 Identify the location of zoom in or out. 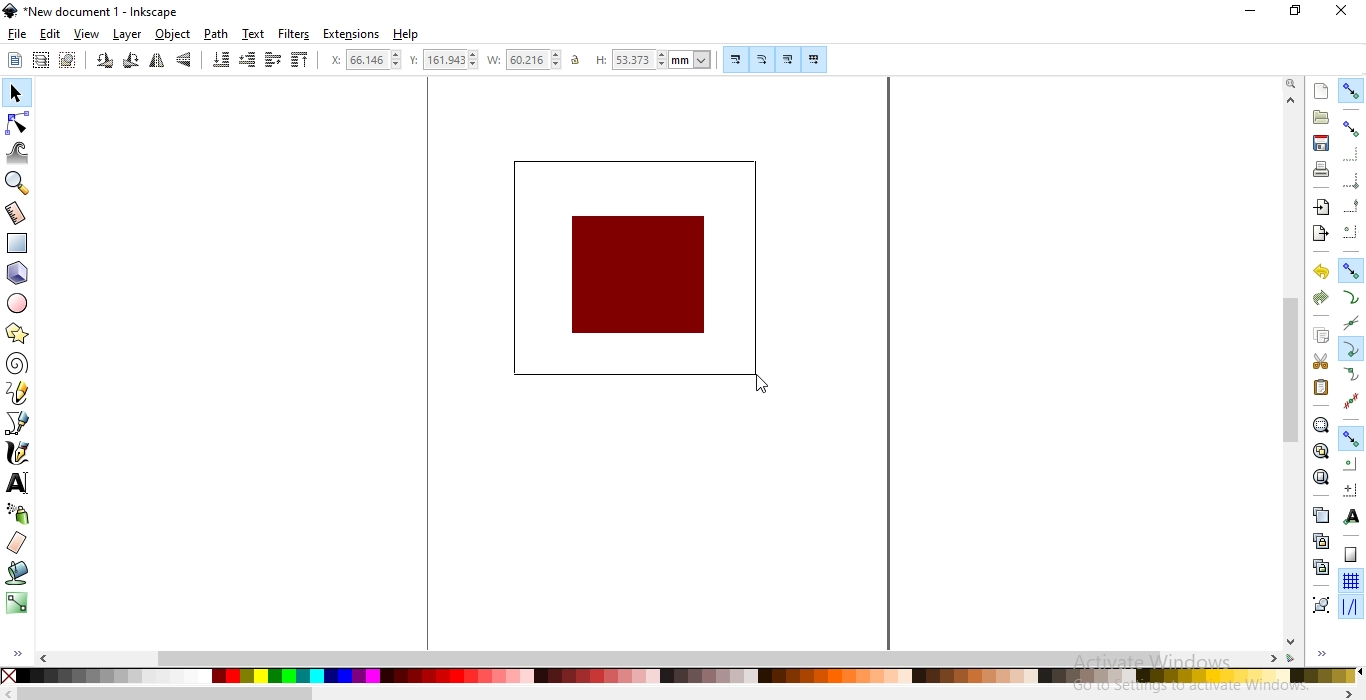
(20, 182).